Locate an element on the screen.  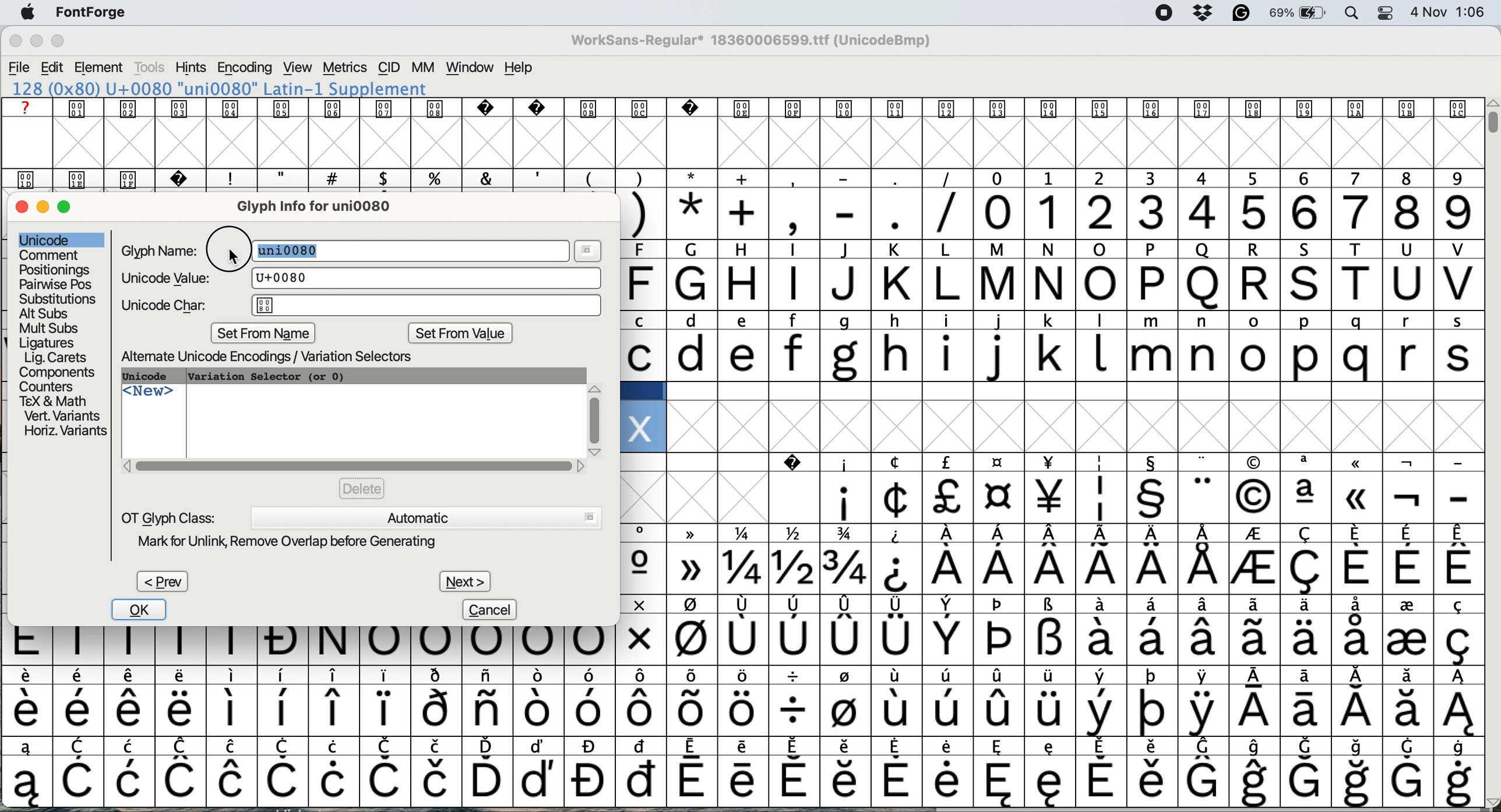
pairwise pose is located at coordinates (57, 284).